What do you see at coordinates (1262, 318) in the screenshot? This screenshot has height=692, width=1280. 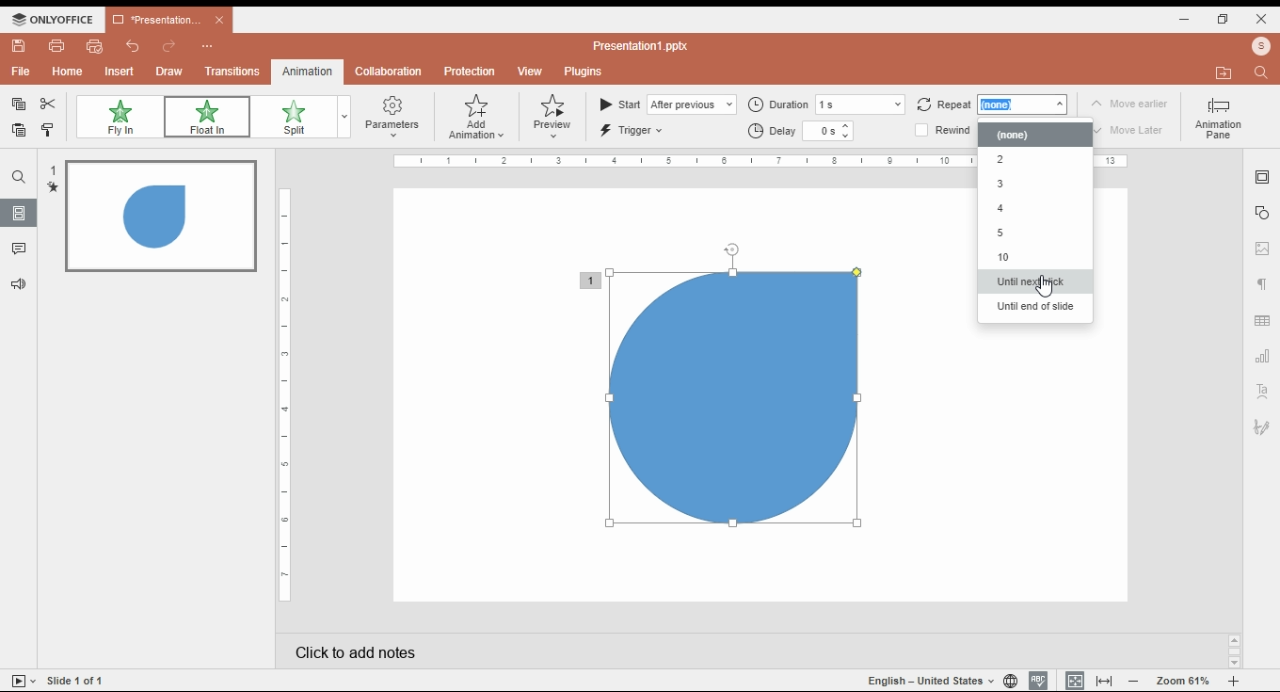 I see `table settings` at bounding box center [1262, 318].